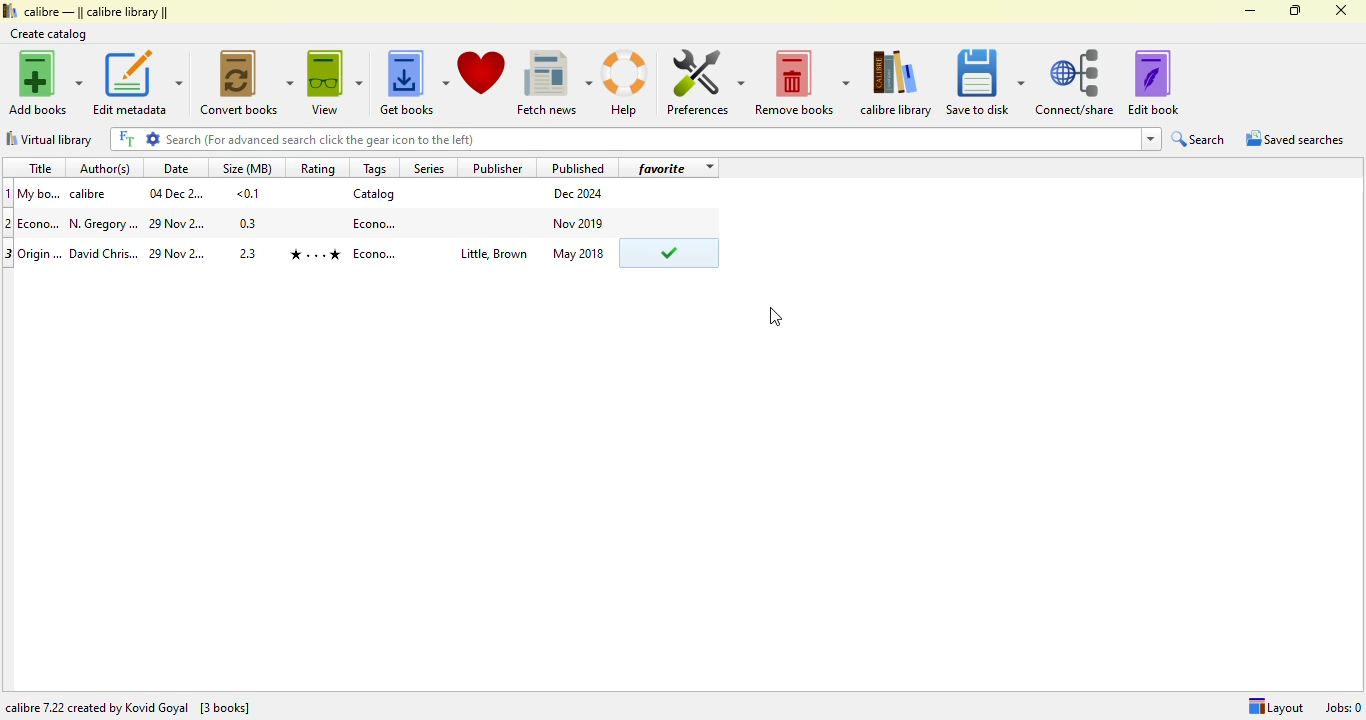 This screenshot has height=720, width=1366. I want to click on logo, so click(9, 10).